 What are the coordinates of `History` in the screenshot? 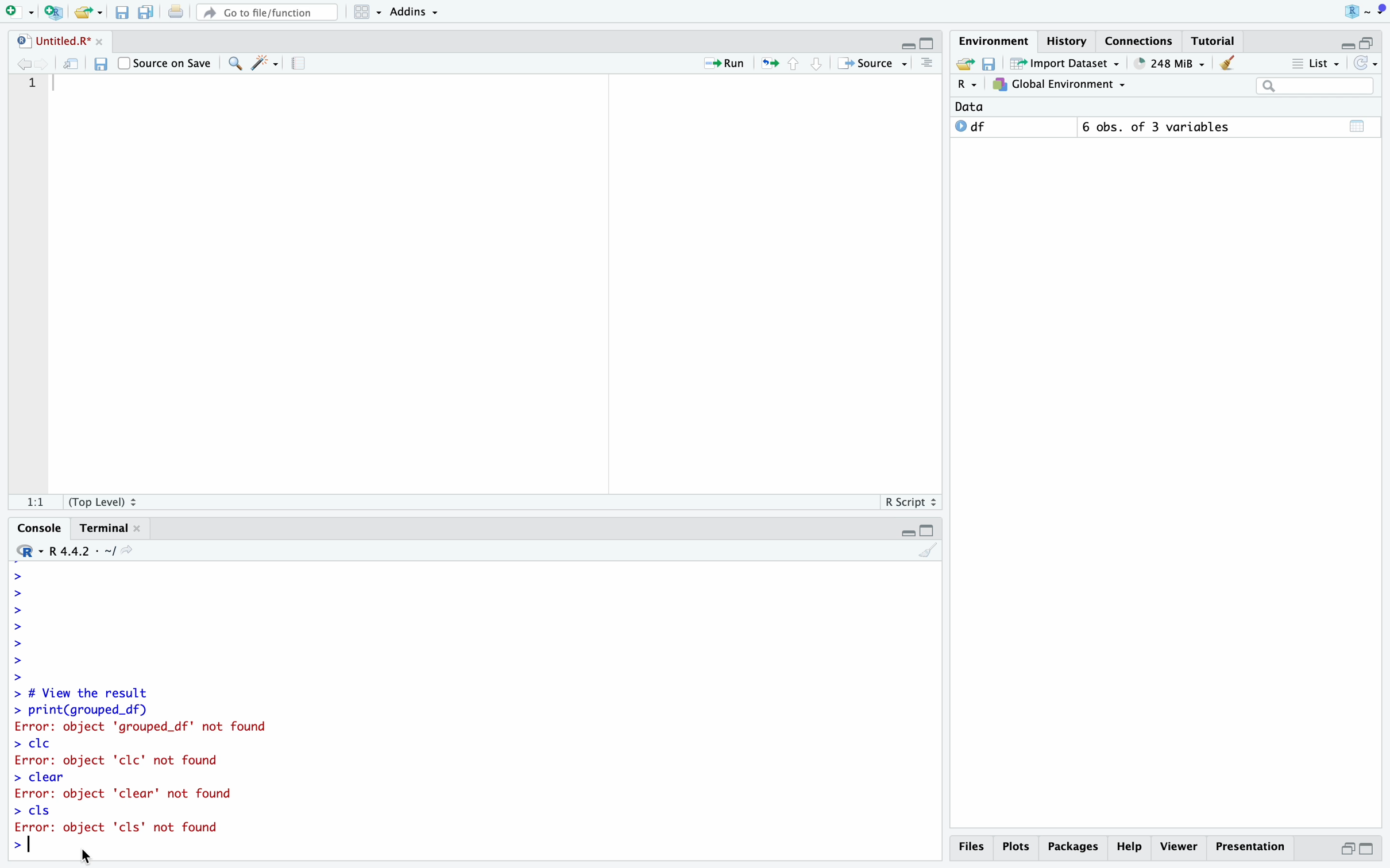 It's located at (1068, 41).